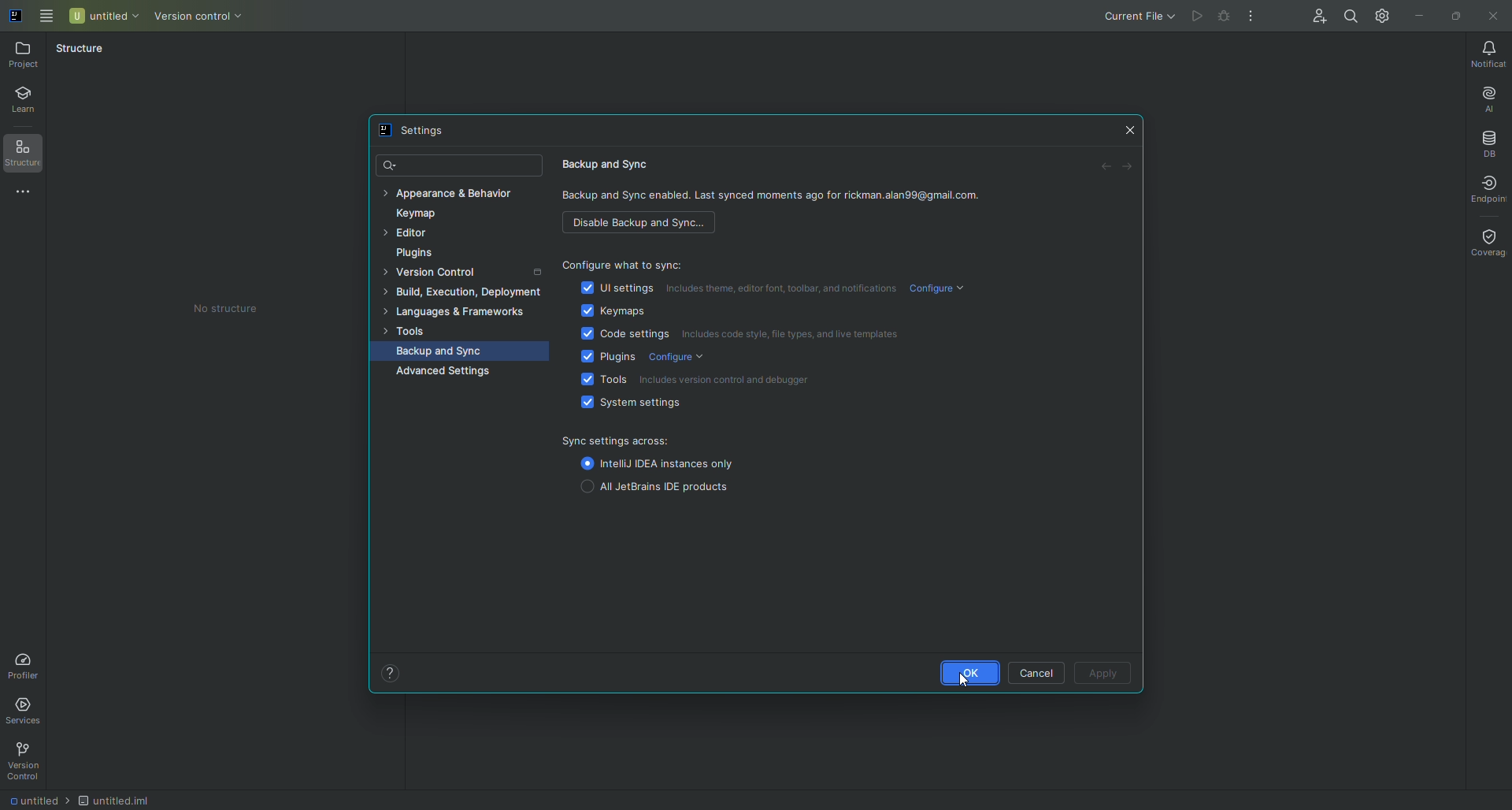 The width and height of the screenshot is (1512, 810). I want to click on File type, so click(131, 798).